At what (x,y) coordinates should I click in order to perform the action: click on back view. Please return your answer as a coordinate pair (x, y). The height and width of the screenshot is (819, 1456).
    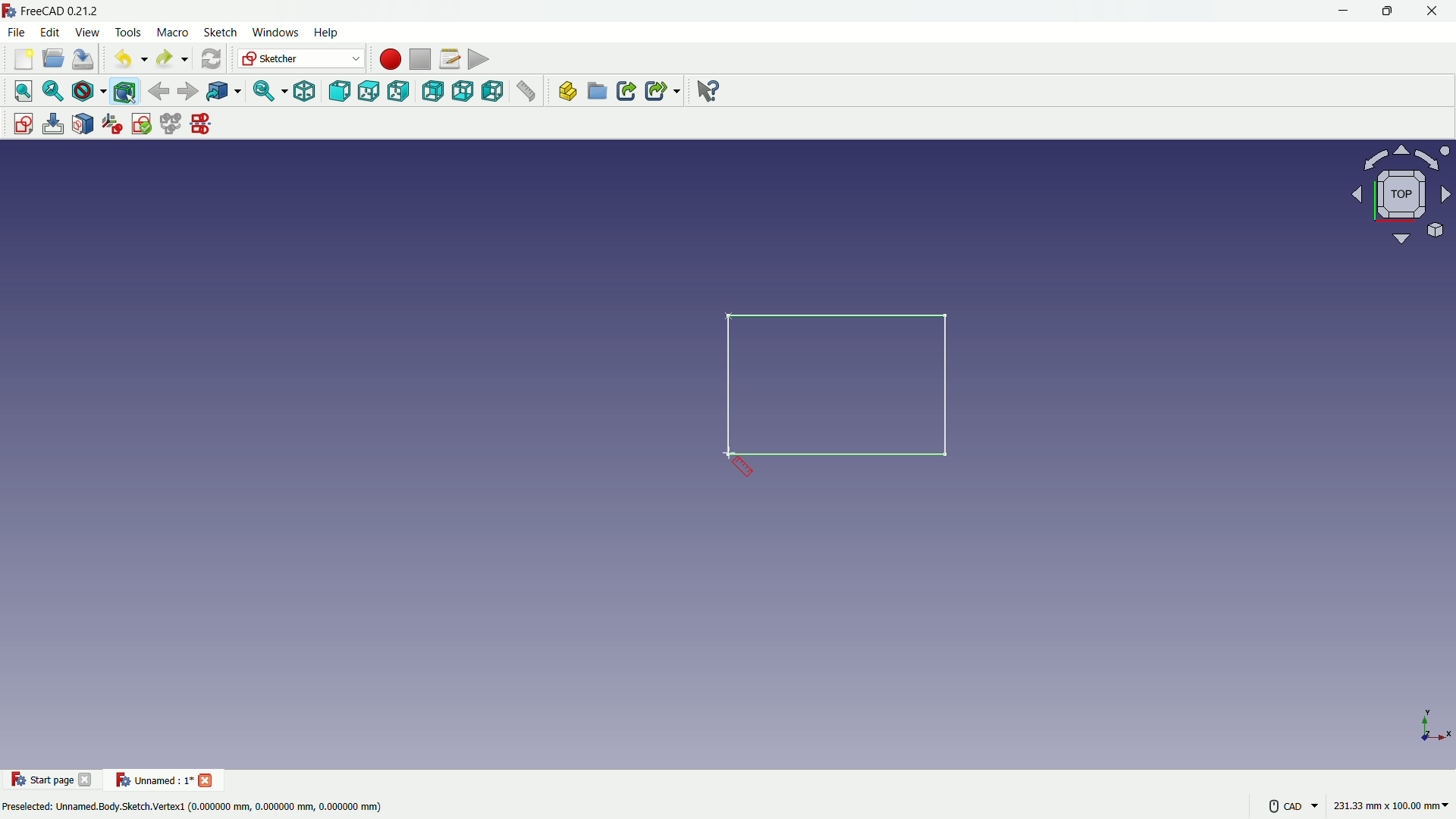
    Looking at the image, I should click on (432, 91).